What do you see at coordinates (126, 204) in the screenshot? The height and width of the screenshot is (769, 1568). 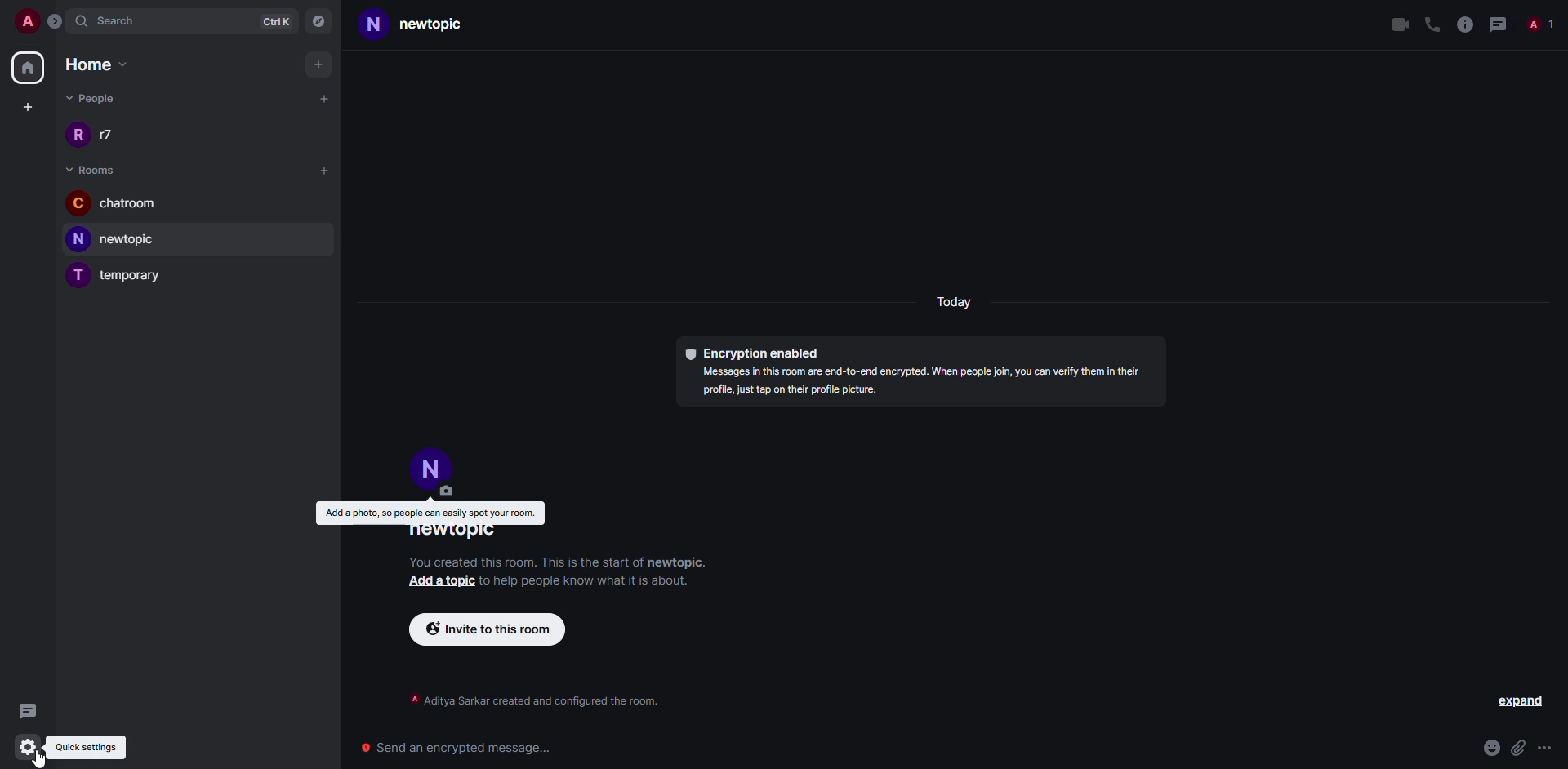 I see `room` at bounding box center [126, 204].